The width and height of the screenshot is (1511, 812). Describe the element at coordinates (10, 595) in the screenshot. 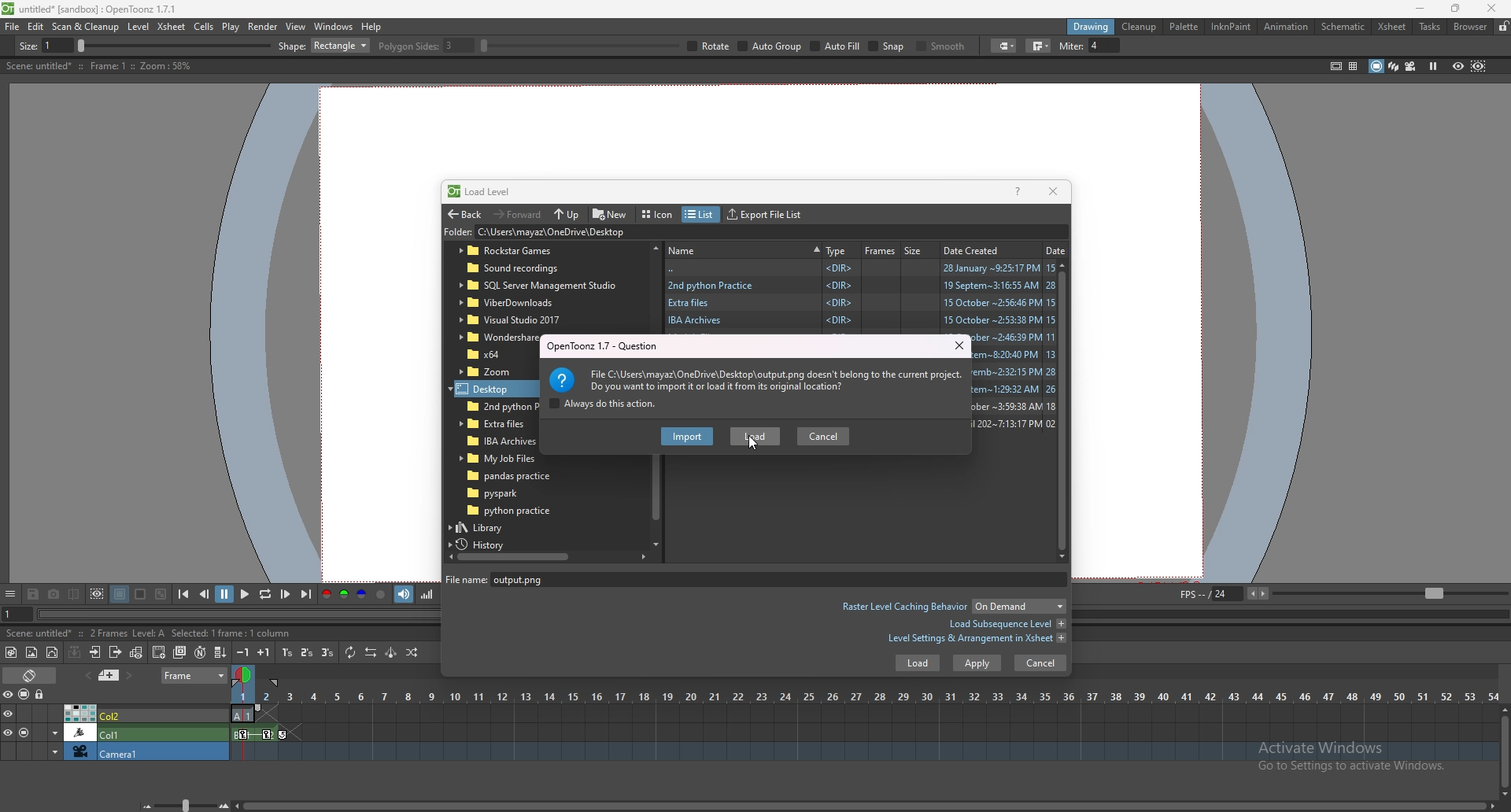

I see `options` at that location.